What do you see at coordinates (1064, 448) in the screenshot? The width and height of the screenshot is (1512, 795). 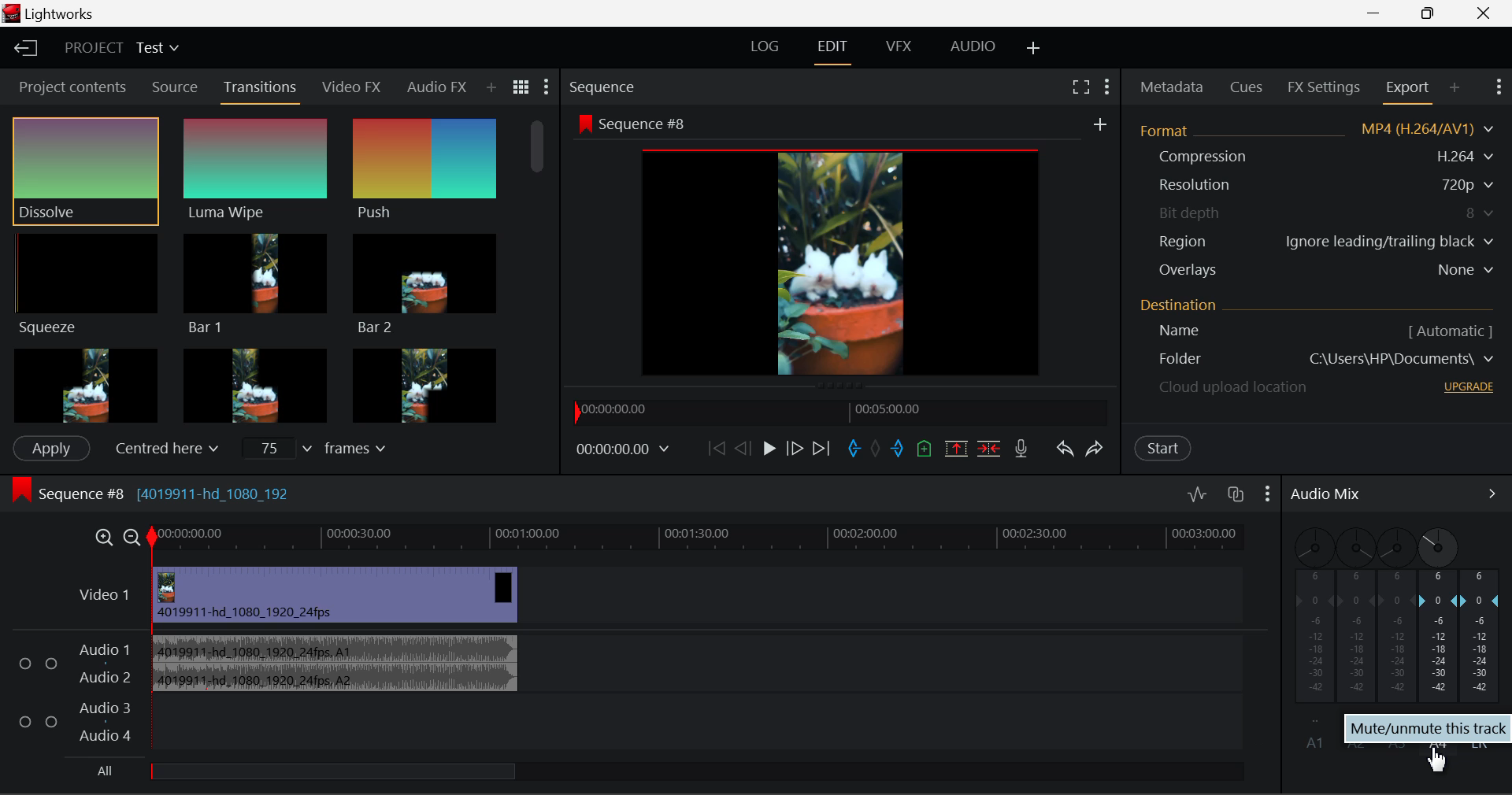 I see `Undo` at bounding box center [1064, 448].